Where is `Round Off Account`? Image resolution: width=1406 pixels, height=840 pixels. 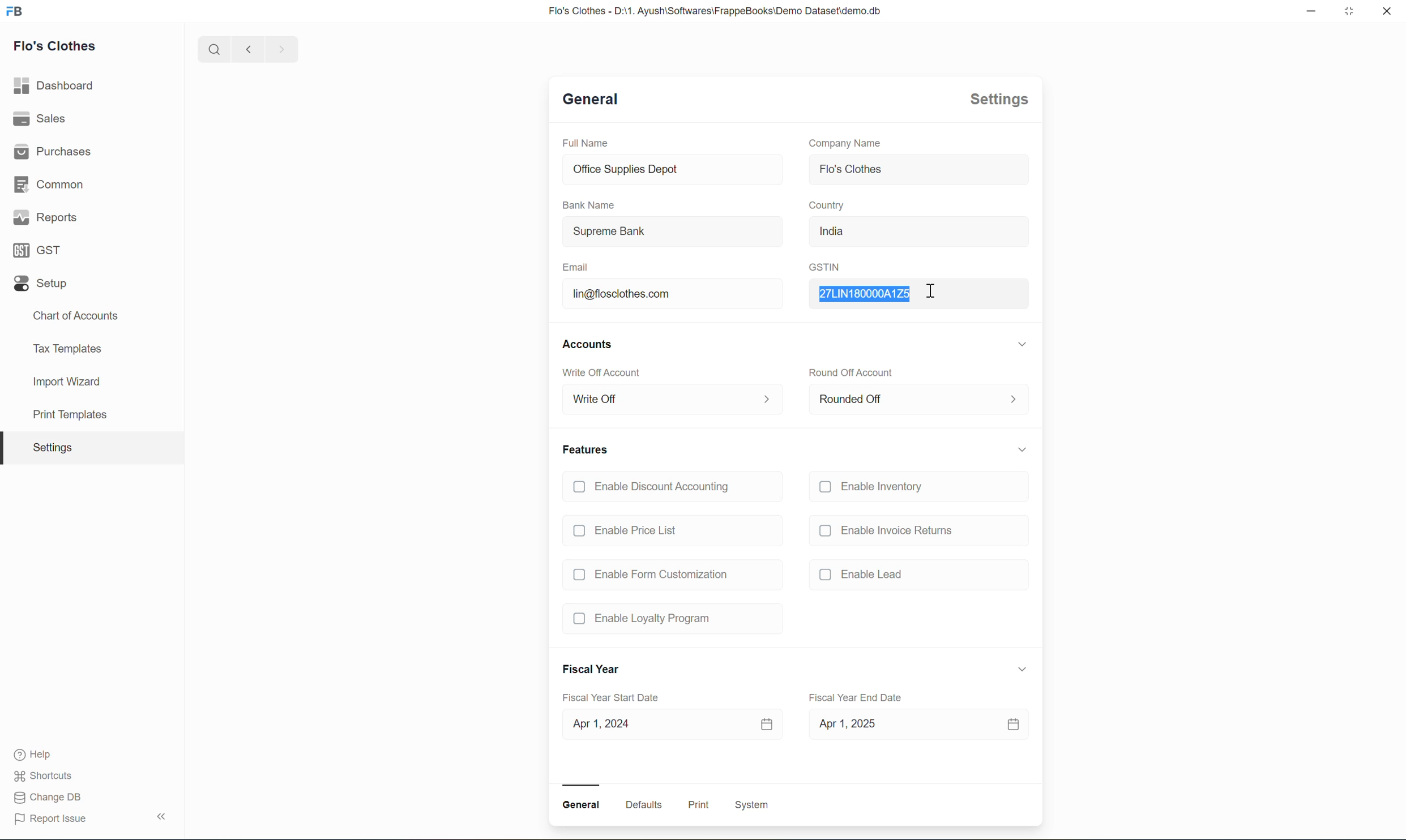 Round Off Account is located at coordinates (855, 373).